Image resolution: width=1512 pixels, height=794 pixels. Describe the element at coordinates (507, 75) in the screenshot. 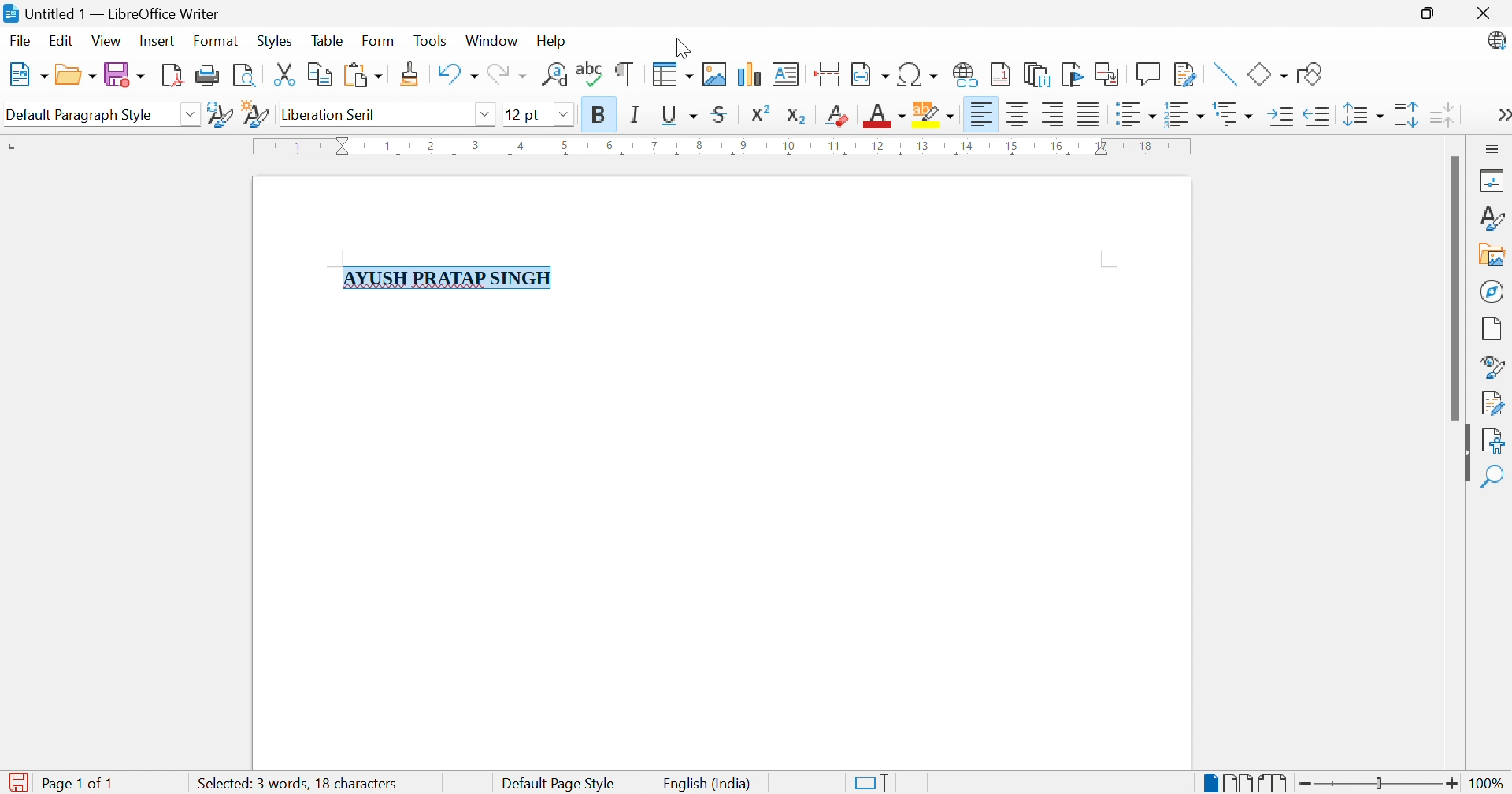

I see `Redo` at that location.